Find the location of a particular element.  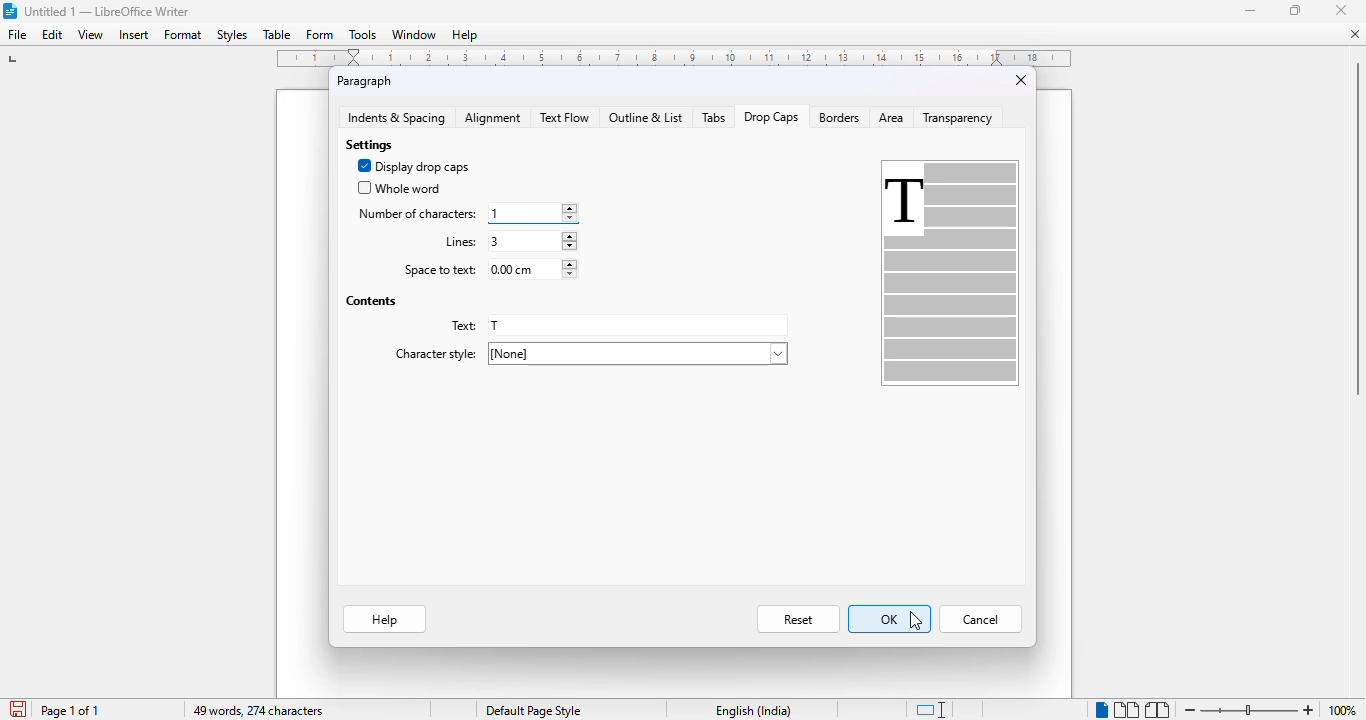

zoom in is located at coordinates (1308, 710).